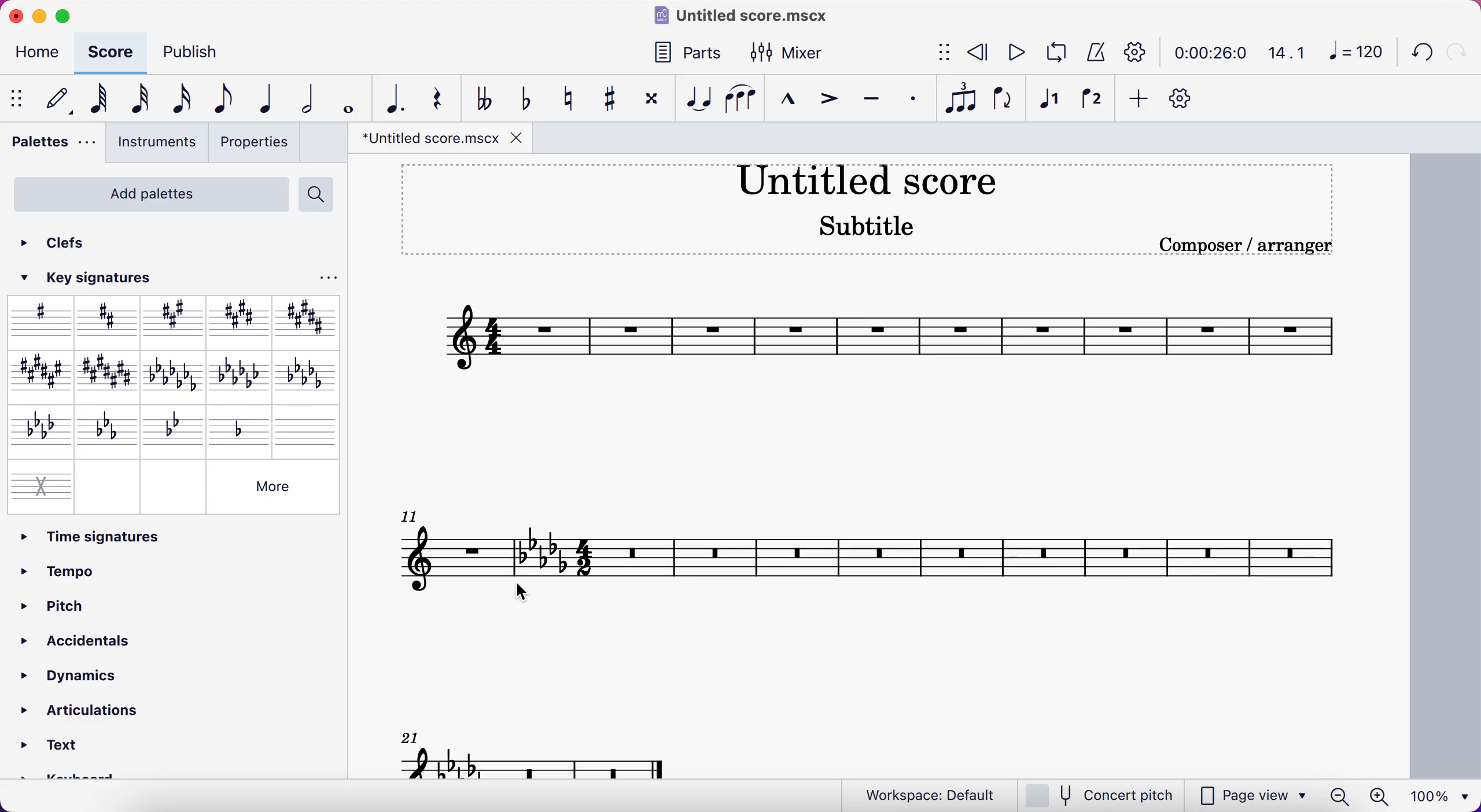  Describe the element at coordinates (795, 55) in the screenshot. I see `mixer` at that location.